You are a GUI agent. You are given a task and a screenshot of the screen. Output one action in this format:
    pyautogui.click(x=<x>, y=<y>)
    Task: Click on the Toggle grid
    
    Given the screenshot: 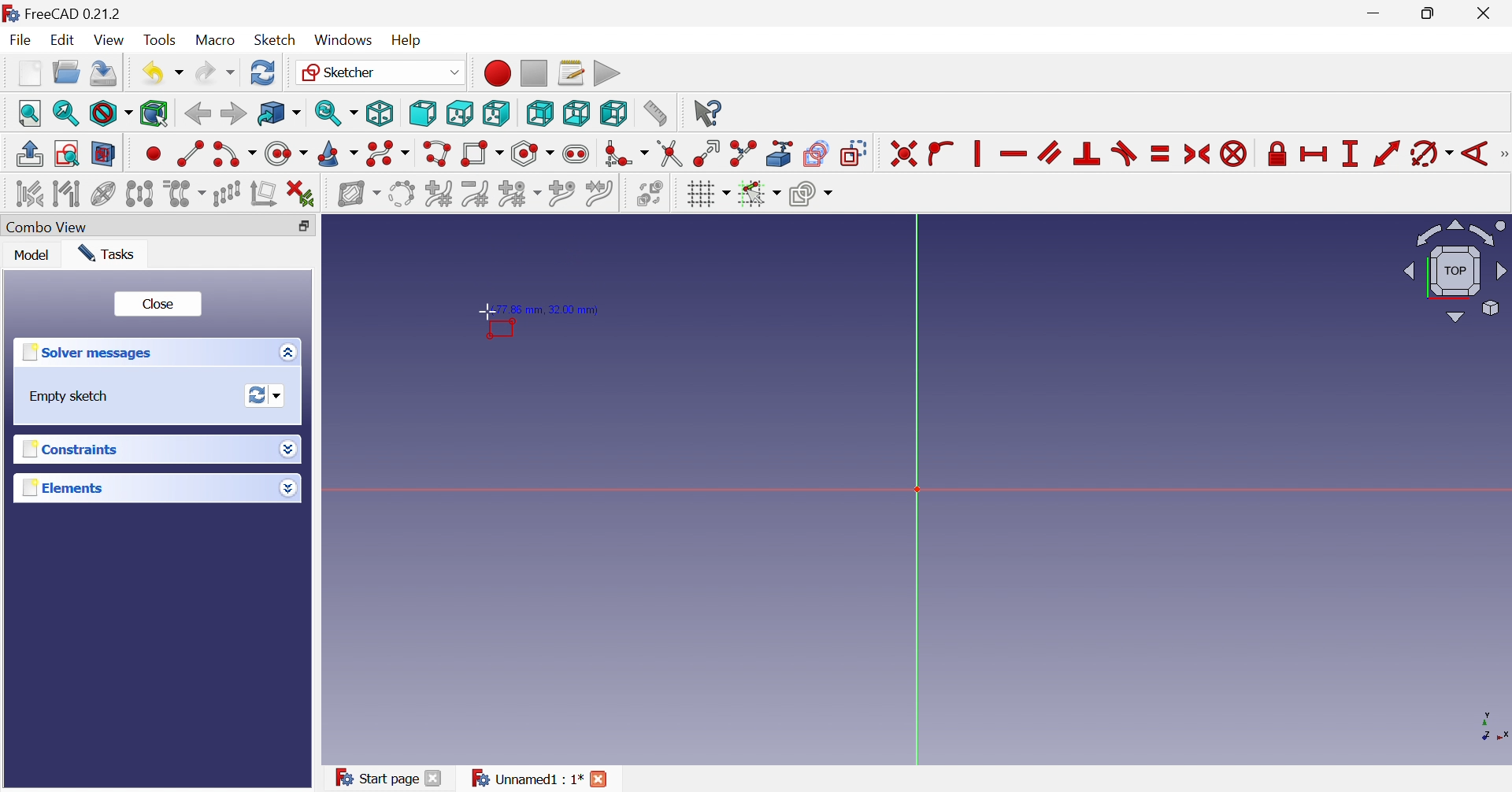 What is the action you would take?
    pyautogui.click(x=708, y=194)
    